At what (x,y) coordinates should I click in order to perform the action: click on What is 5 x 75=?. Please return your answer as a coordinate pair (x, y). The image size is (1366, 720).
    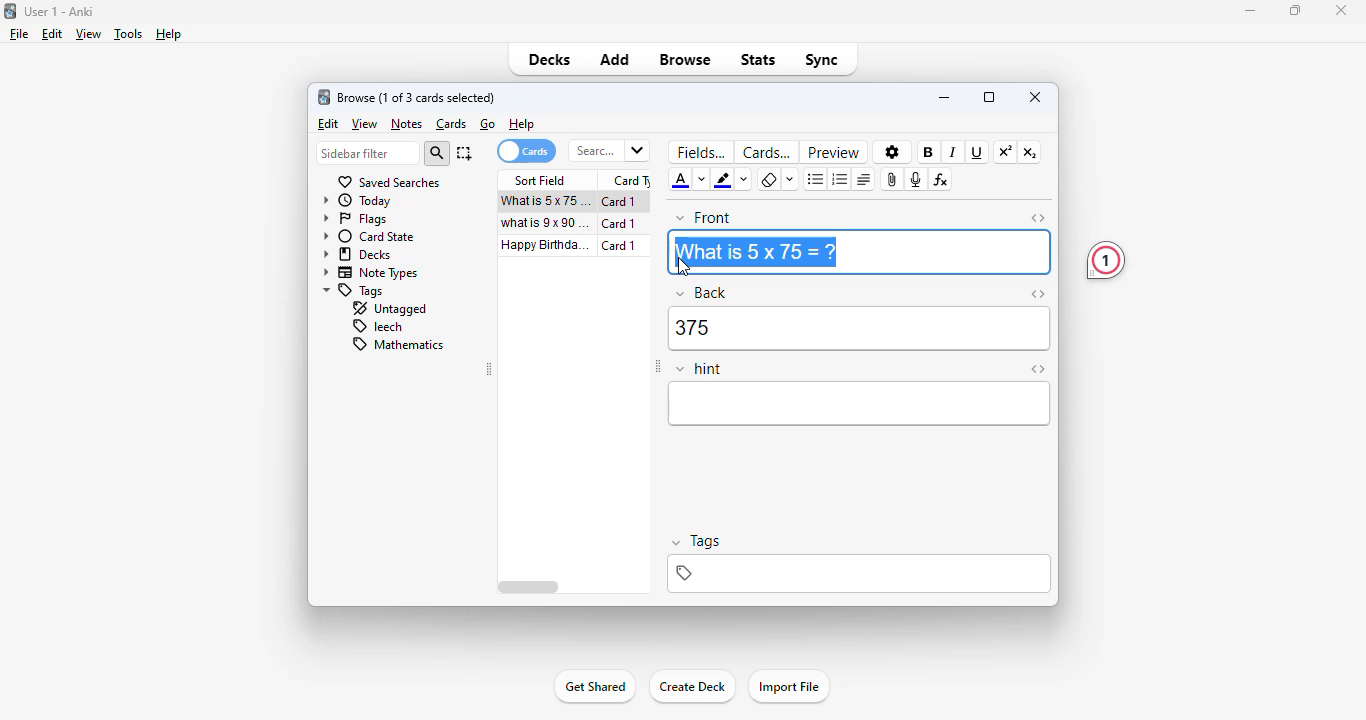
    Looking at the image, I should click on (753, 252).